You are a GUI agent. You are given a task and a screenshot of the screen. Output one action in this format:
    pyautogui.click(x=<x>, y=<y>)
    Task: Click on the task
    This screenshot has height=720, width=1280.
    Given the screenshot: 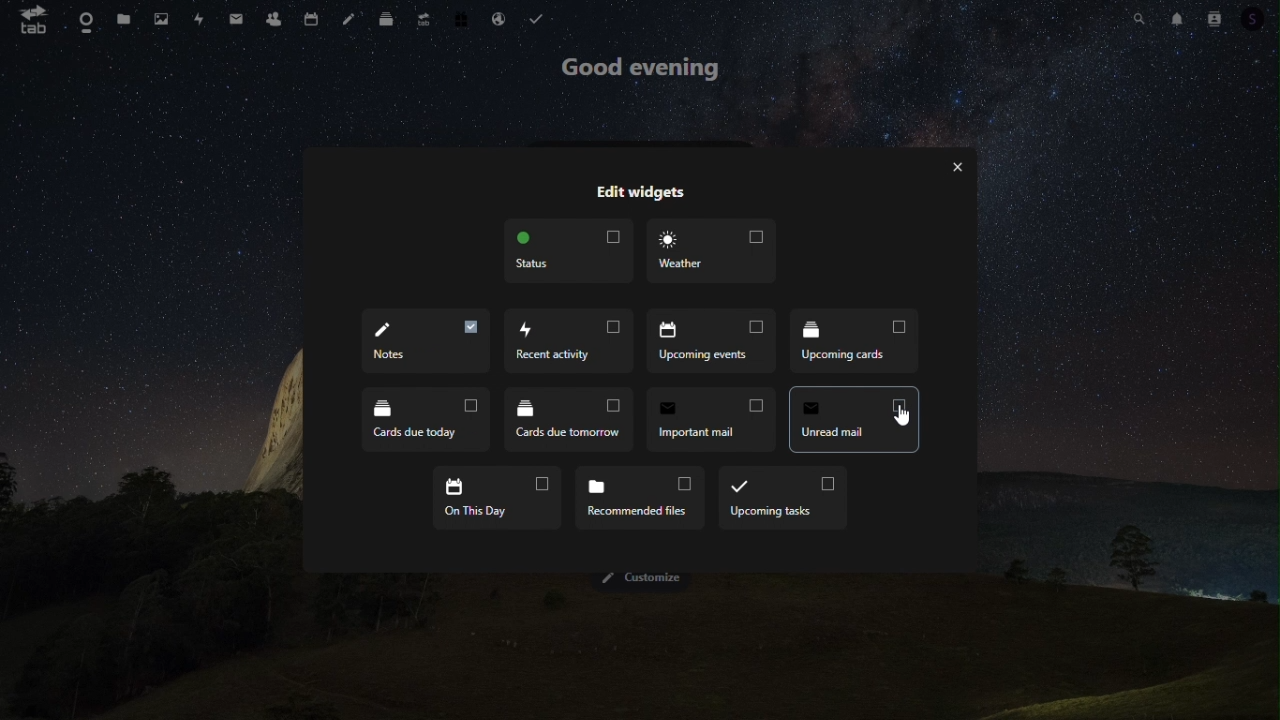 What is the action you would take?
    pyautogui.click(x=540, y=17)
    